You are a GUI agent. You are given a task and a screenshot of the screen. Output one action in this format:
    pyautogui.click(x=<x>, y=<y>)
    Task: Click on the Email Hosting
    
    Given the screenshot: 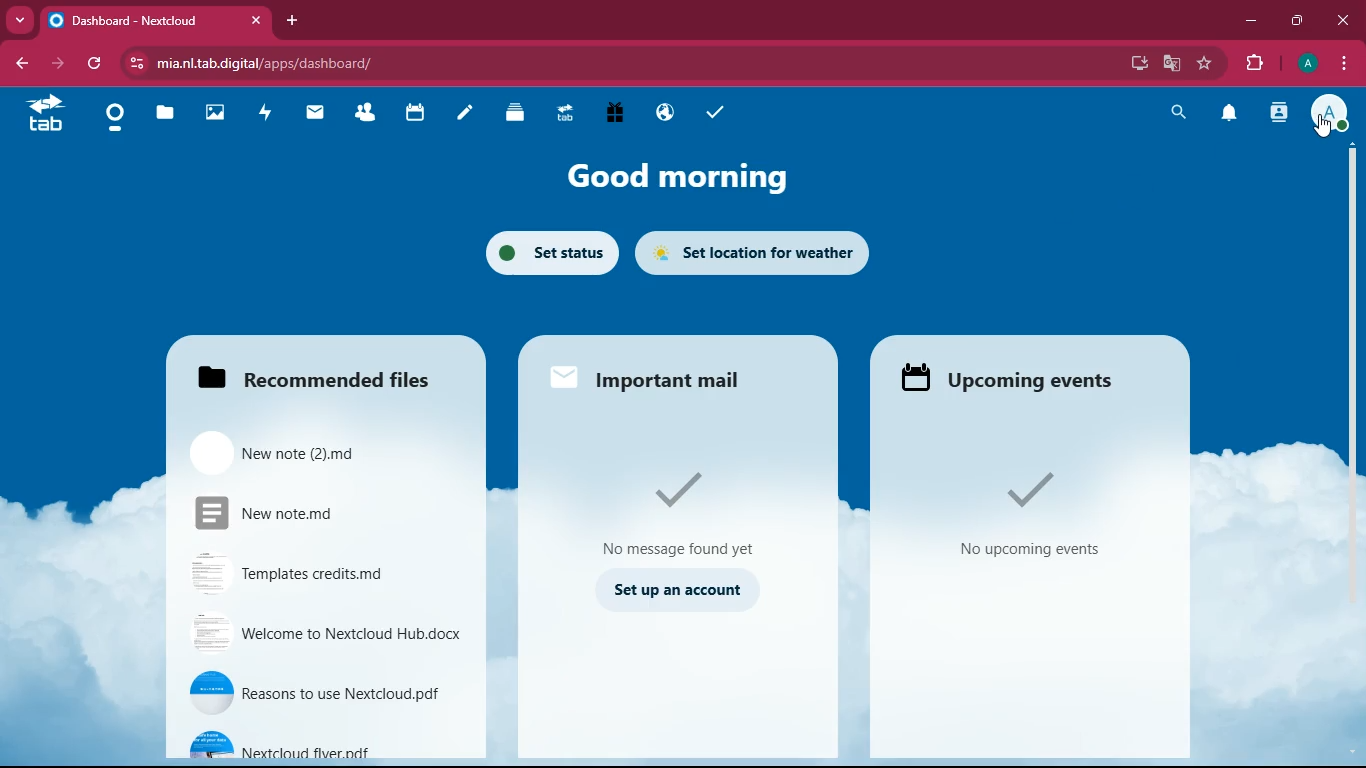 What is the action you would take?
    pyautogui.click(x=666, y=114)
    